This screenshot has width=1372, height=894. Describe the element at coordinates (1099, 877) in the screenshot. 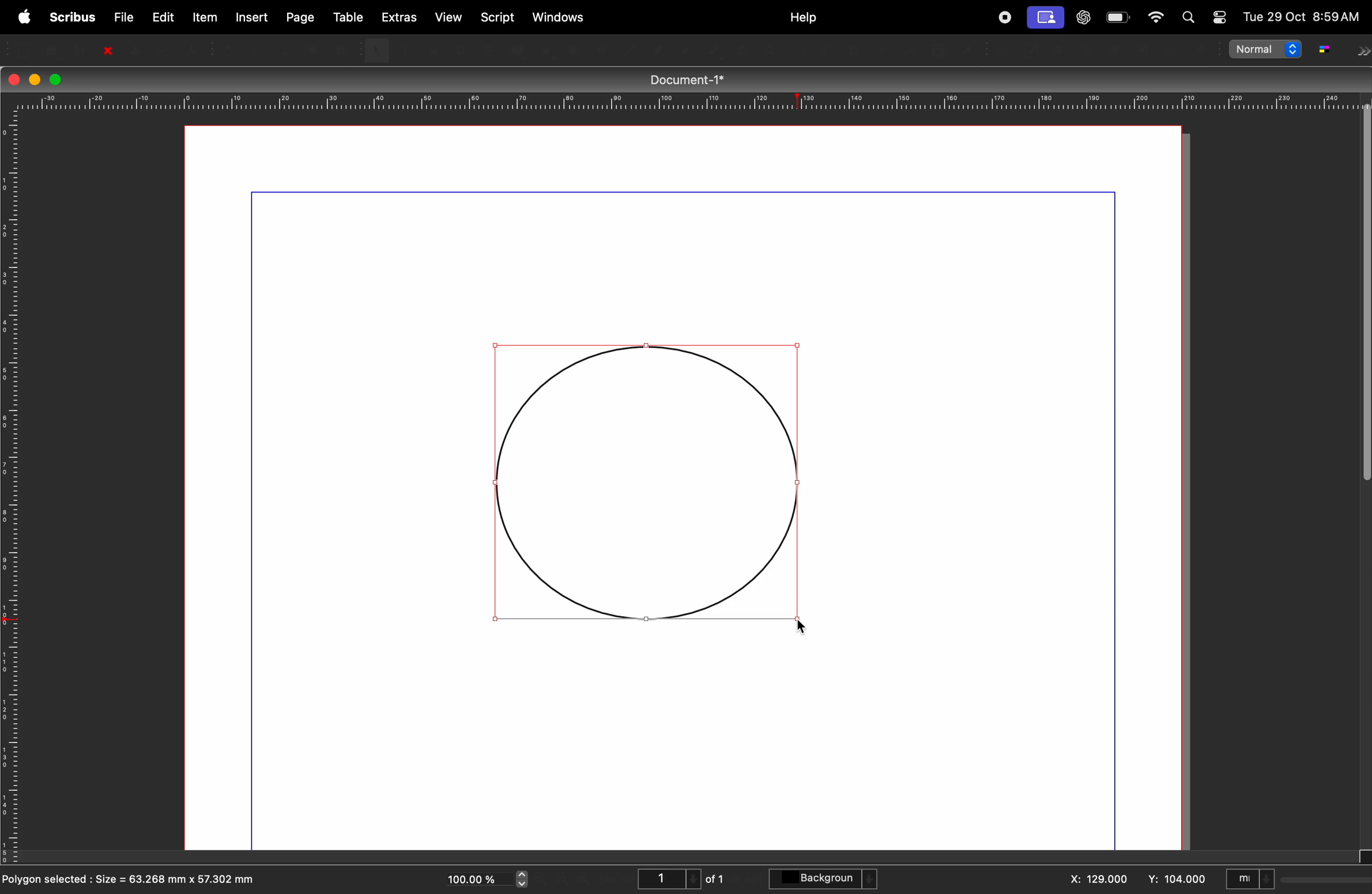

I see `x: 129.000` at that location.